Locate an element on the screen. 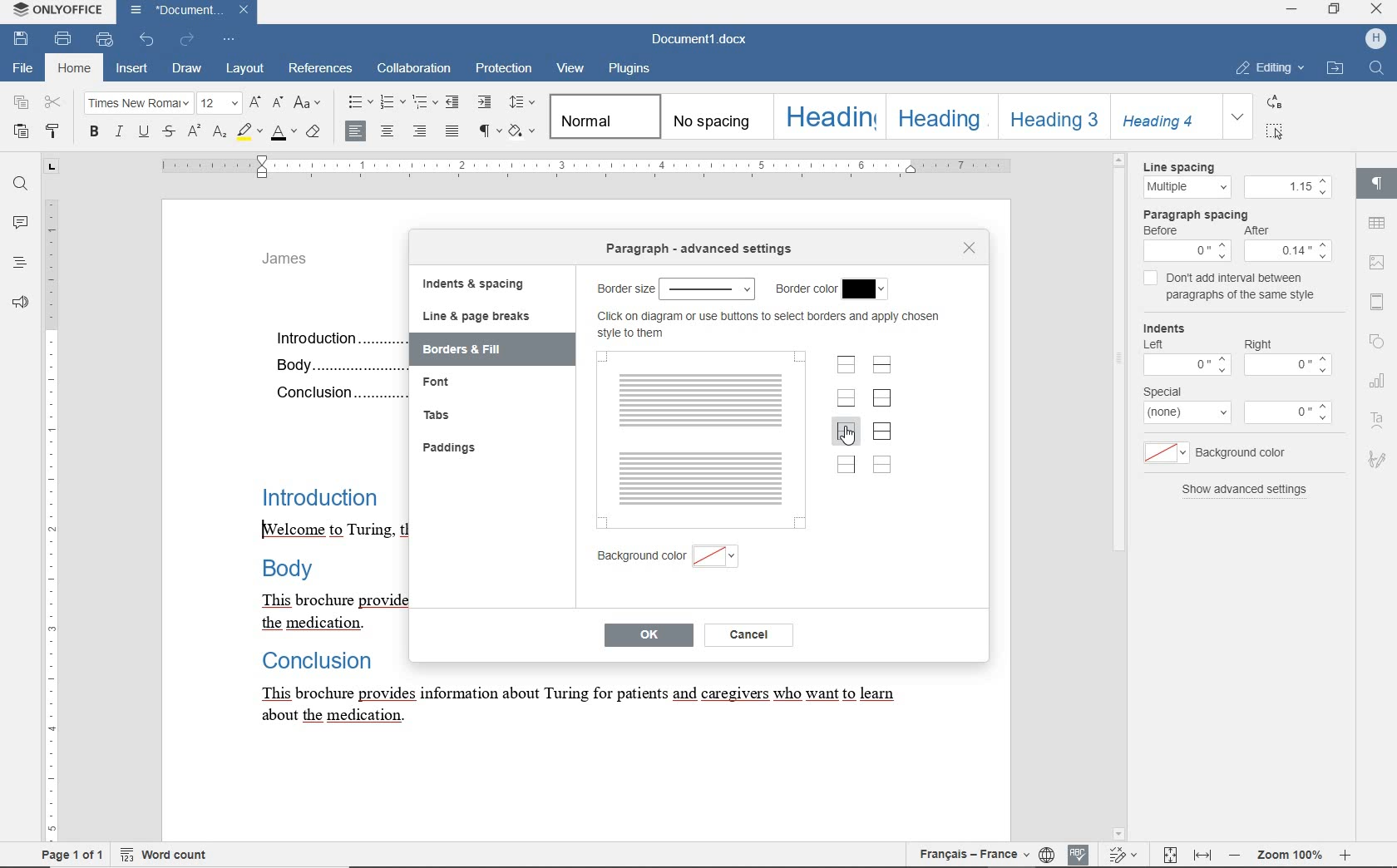 The height and width of the screenshot is (868, 1397). bullets is located at coordinates (360, 102).